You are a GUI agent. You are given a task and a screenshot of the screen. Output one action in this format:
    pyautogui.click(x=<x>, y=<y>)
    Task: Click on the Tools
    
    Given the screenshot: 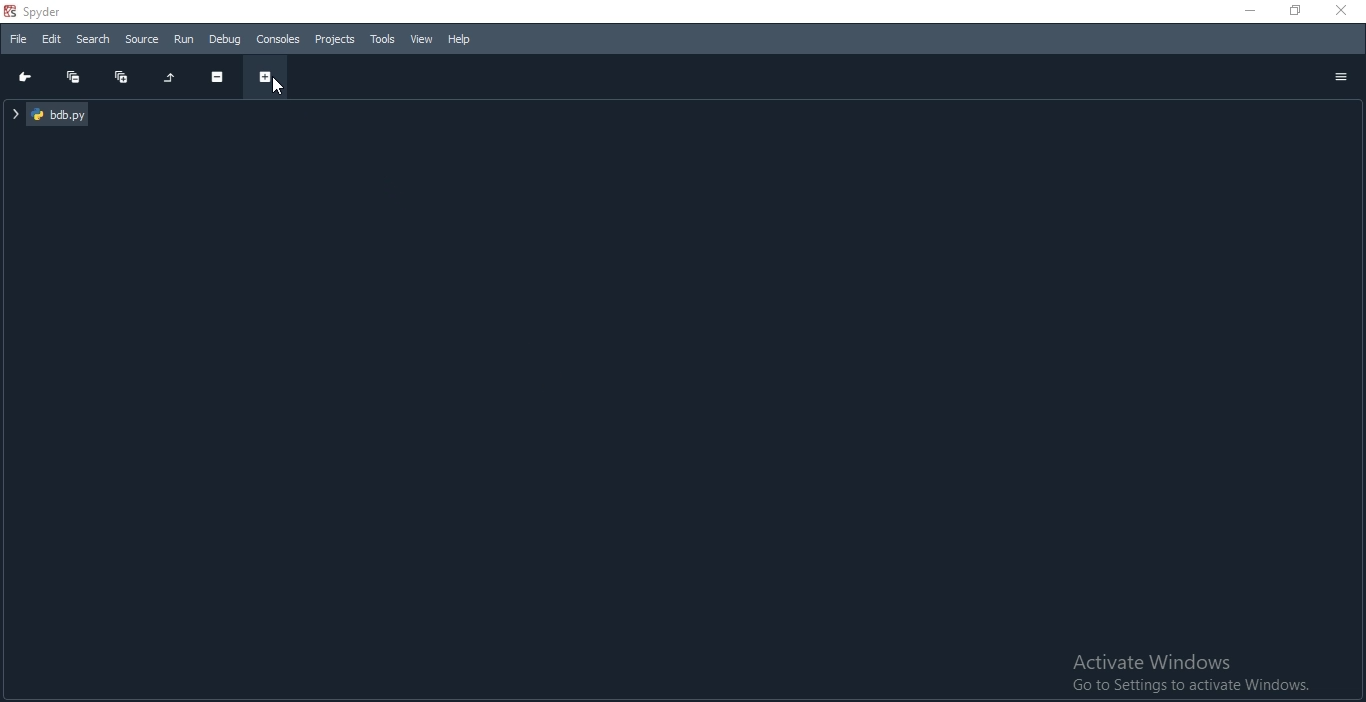 What is the action you would take?
    pyautogui.click(x=384, y=40)
    